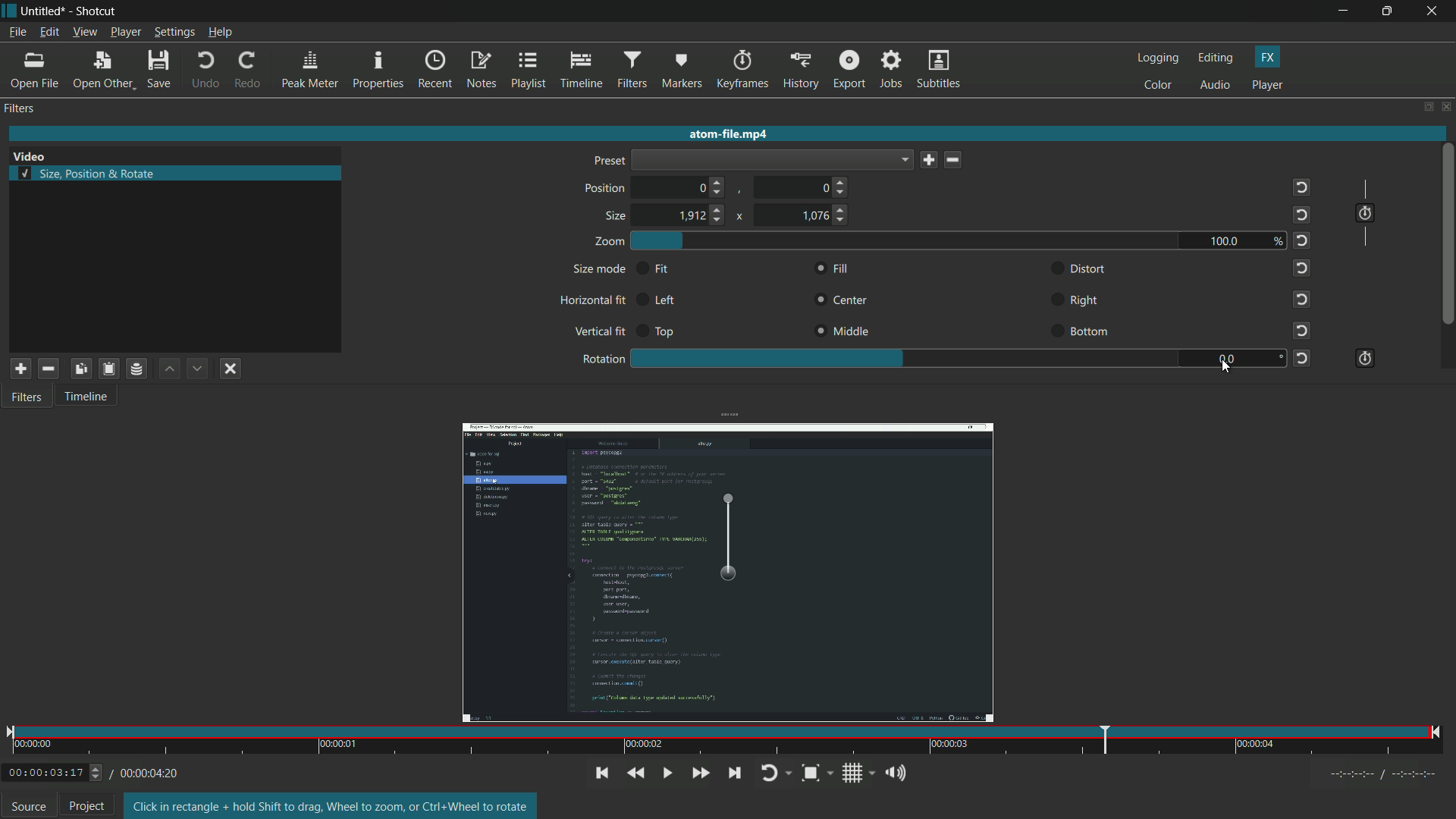 The image size is (1456, 819). I want to click on bottom, so click(1091, 331).